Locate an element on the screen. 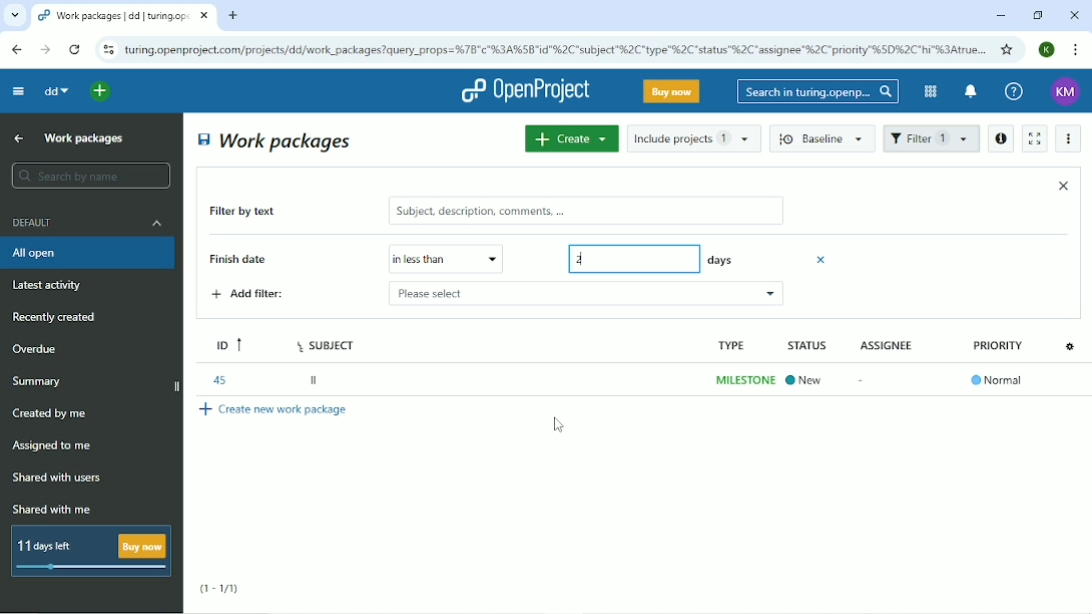 This screenshot has height=614, width=1092. Close is located at coordinates (1074, 15).